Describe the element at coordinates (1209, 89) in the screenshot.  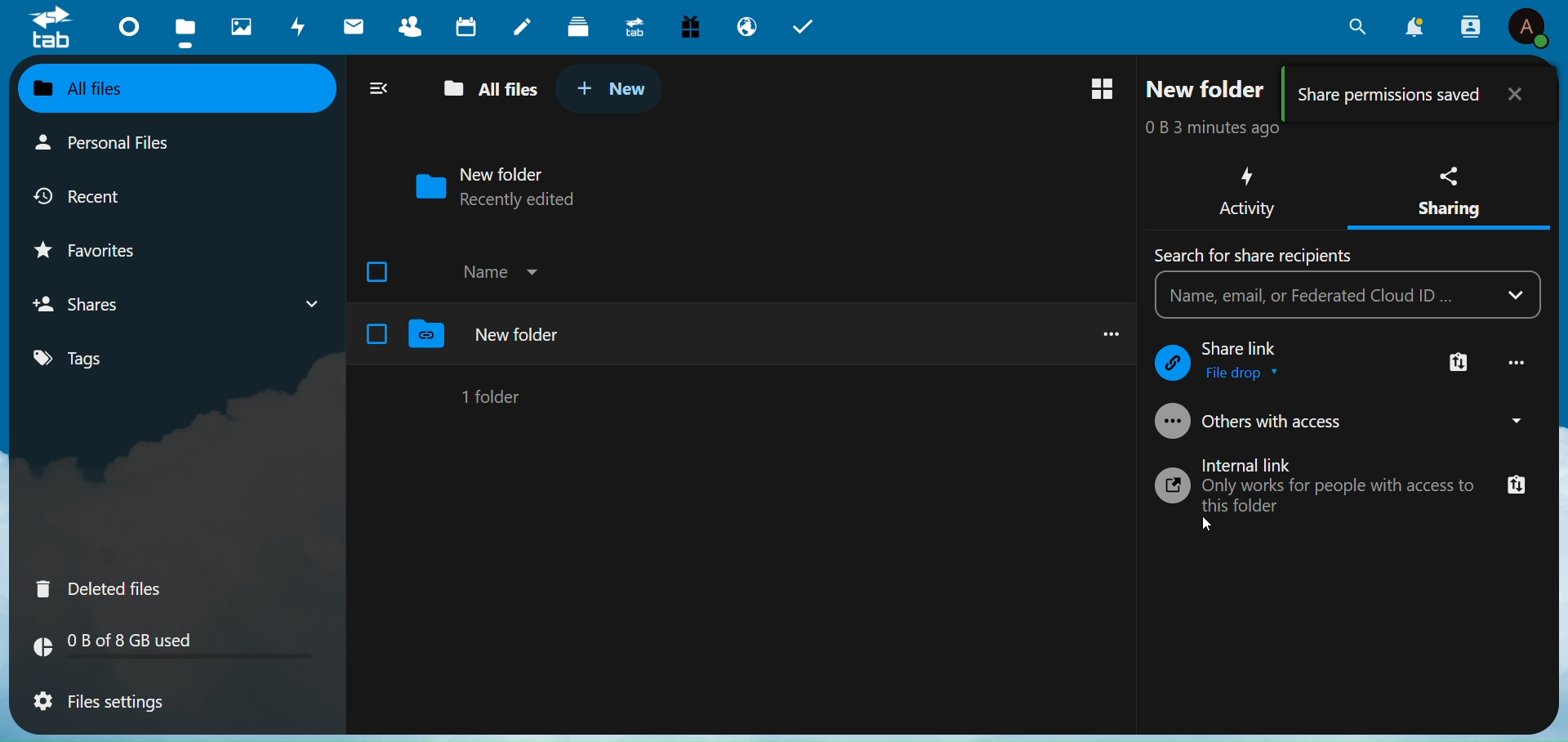
I see `New Folder` at that location.